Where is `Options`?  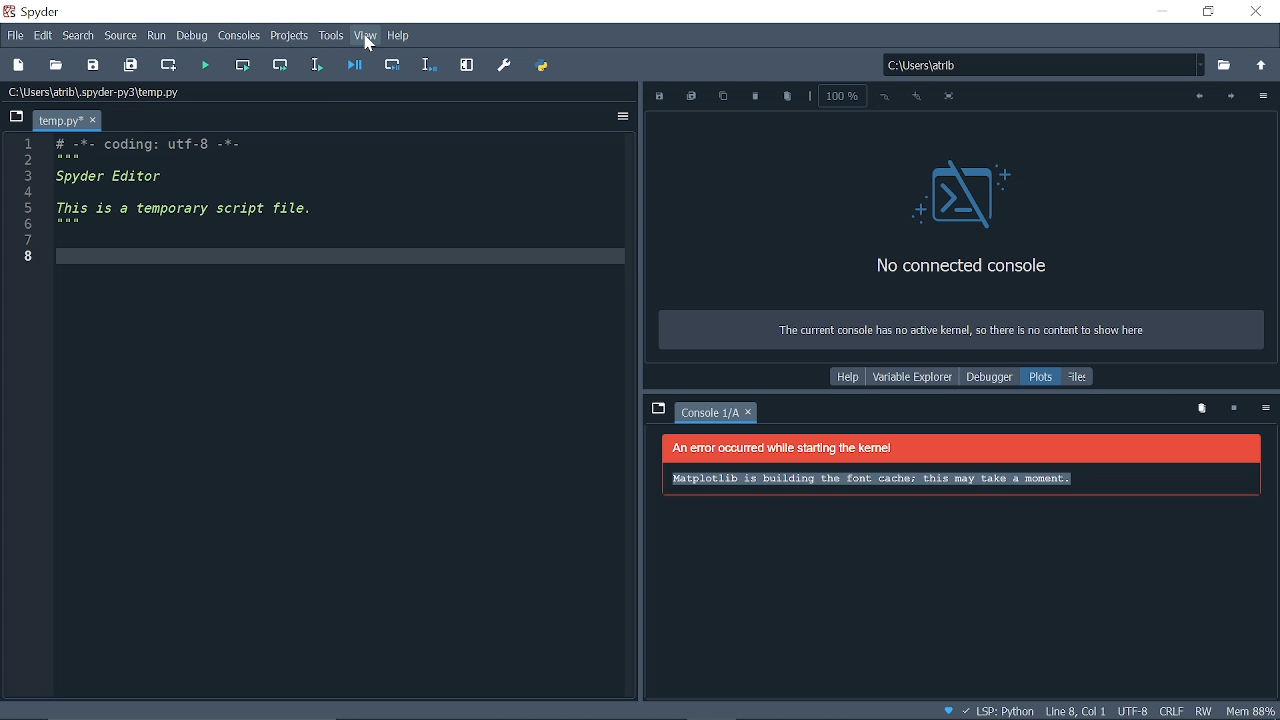 Options is located at coordinates (1265, 410).